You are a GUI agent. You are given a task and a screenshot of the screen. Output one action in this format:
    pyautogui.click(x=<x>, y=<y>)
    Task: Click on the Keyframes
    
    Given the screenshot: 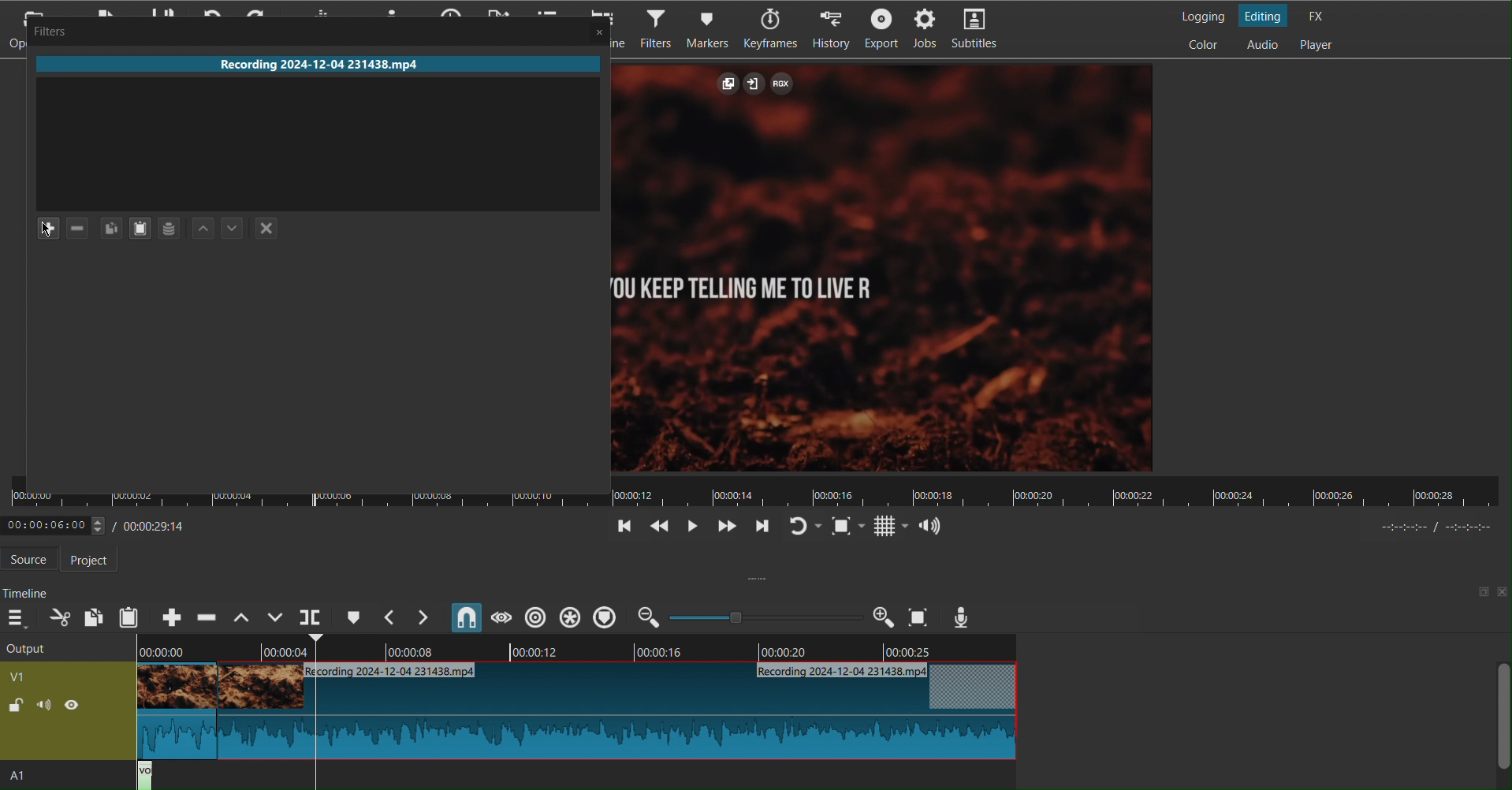 What is the action you would take?
    pyautogui.click(x=773, y=29)
    